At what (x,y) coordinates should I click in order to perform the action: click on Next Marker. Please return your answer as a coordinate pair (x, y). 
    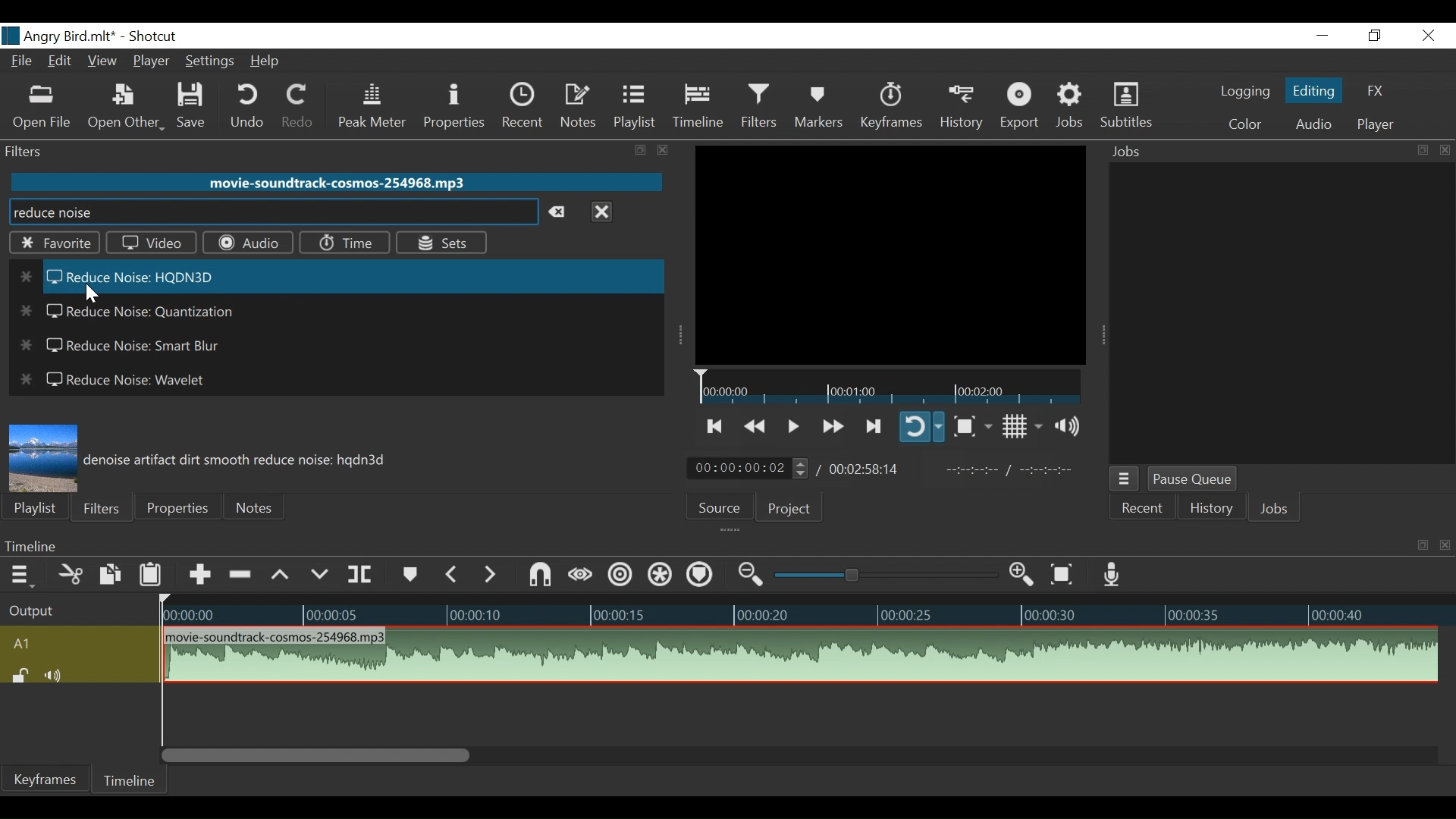
    Looking at the image, I should click on (493, 575).